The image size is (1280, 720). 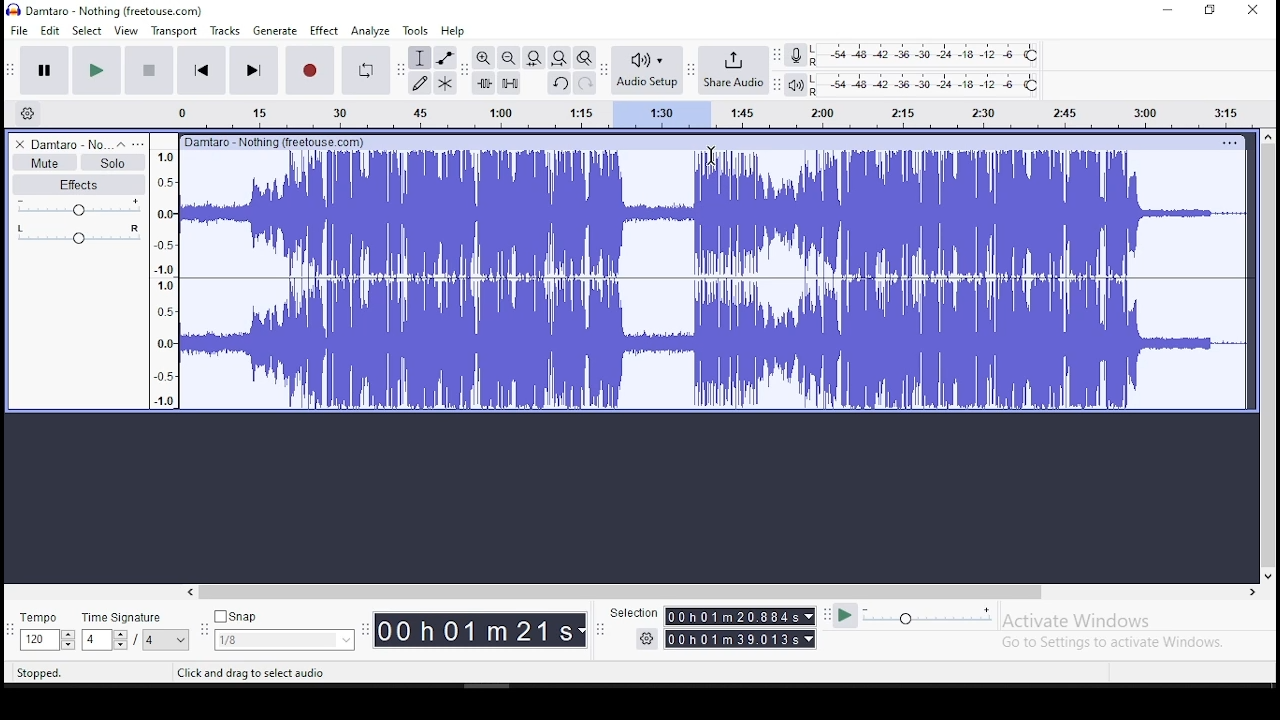 I want to click on skip to start, so click(x=202, y=69).